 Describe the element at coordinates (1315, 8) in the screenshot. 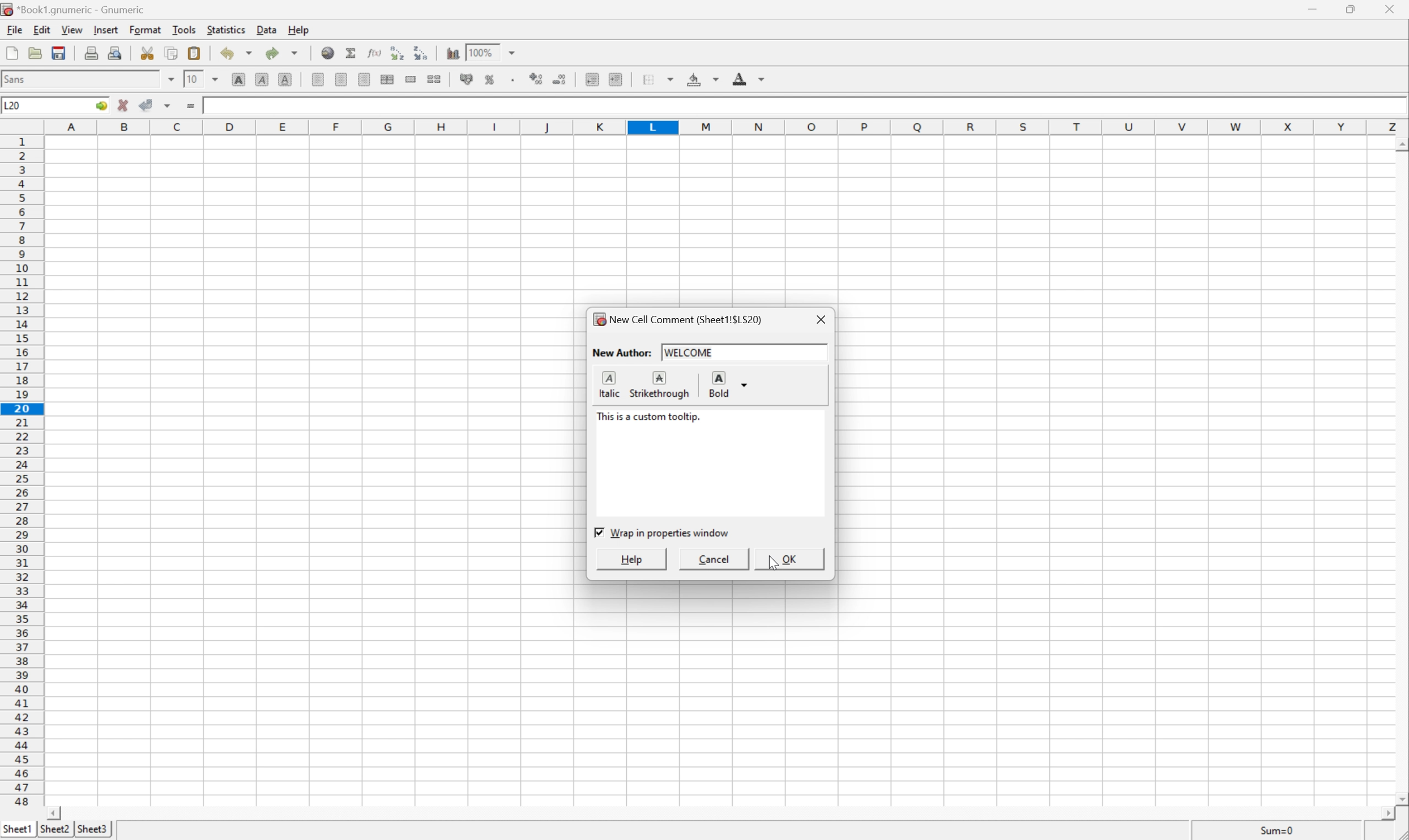

I see `Minimize` at that location.